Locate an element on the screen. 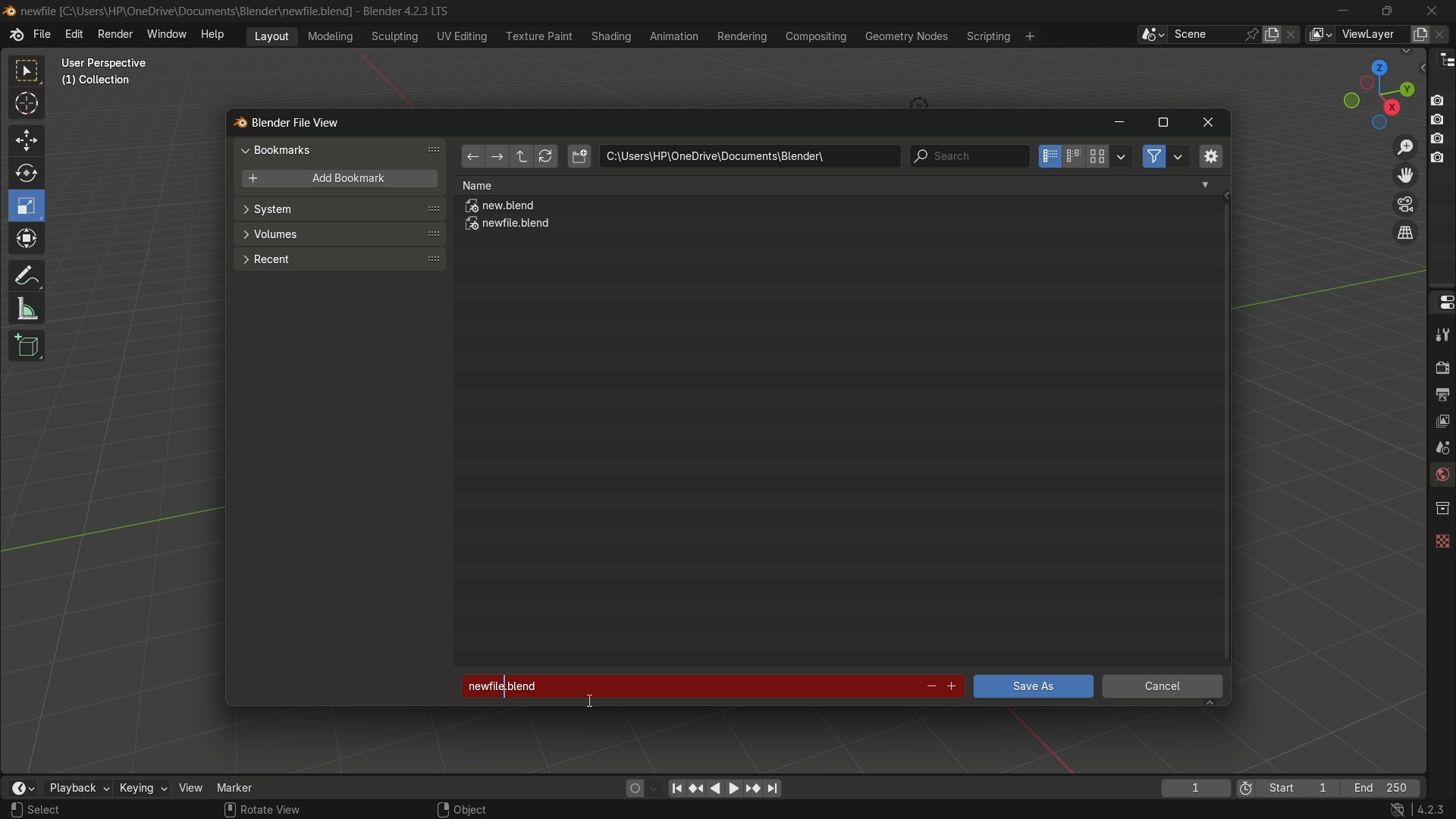  auto keying is located at coordinates (631, 787).